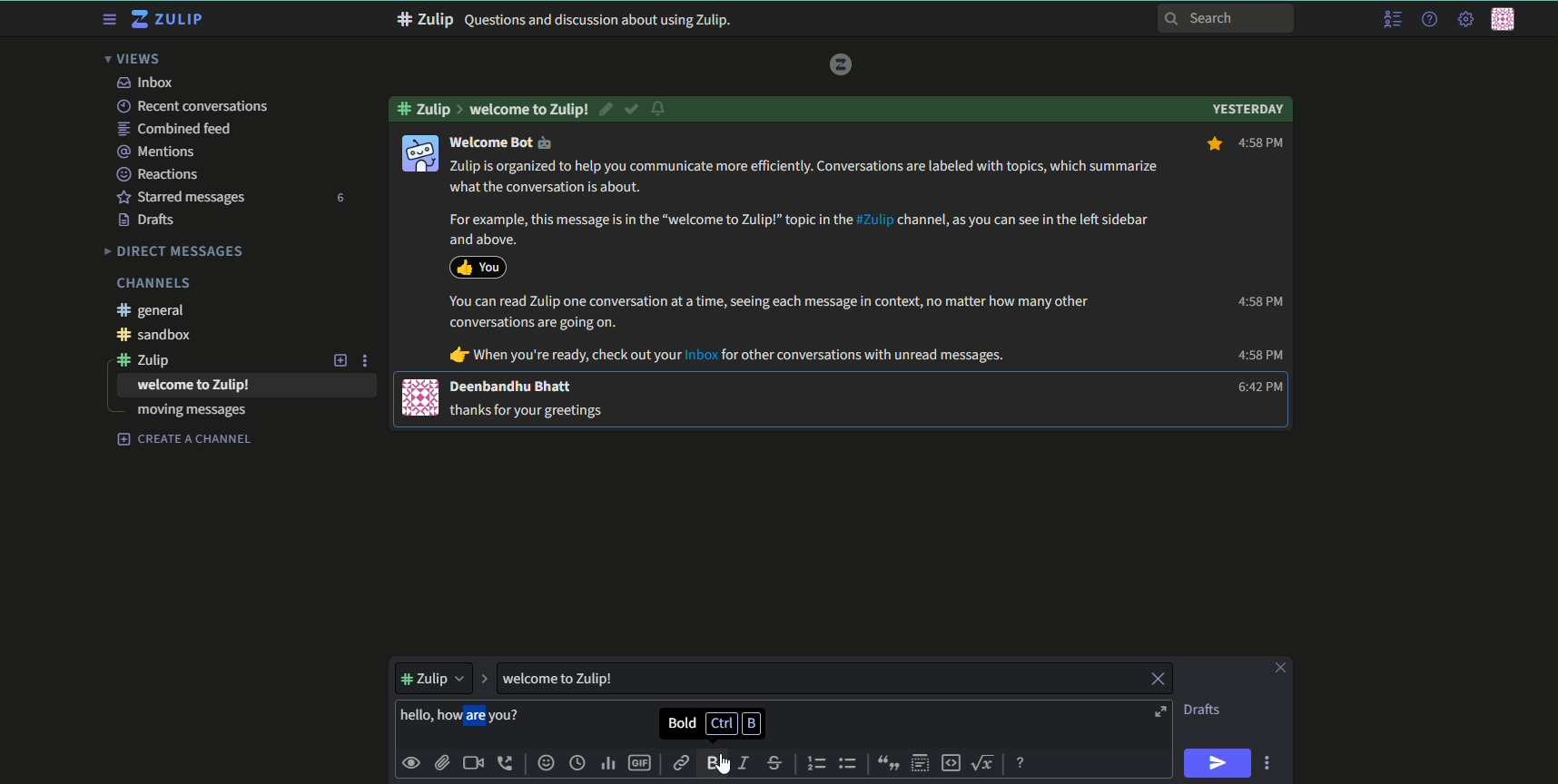  Describe the element at coordinates (107, 20) in the screenshot. I see `menu` at that location.